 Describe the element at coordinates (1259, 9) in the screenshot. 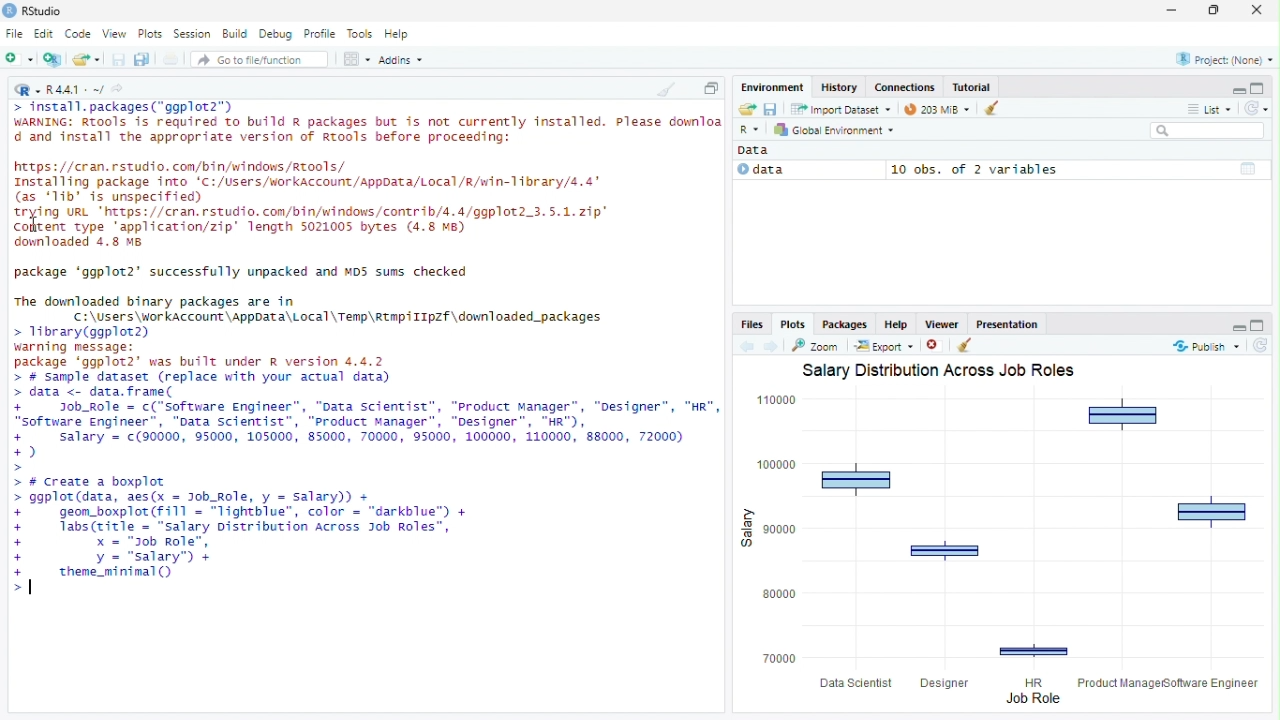

I see `Close` at that location.